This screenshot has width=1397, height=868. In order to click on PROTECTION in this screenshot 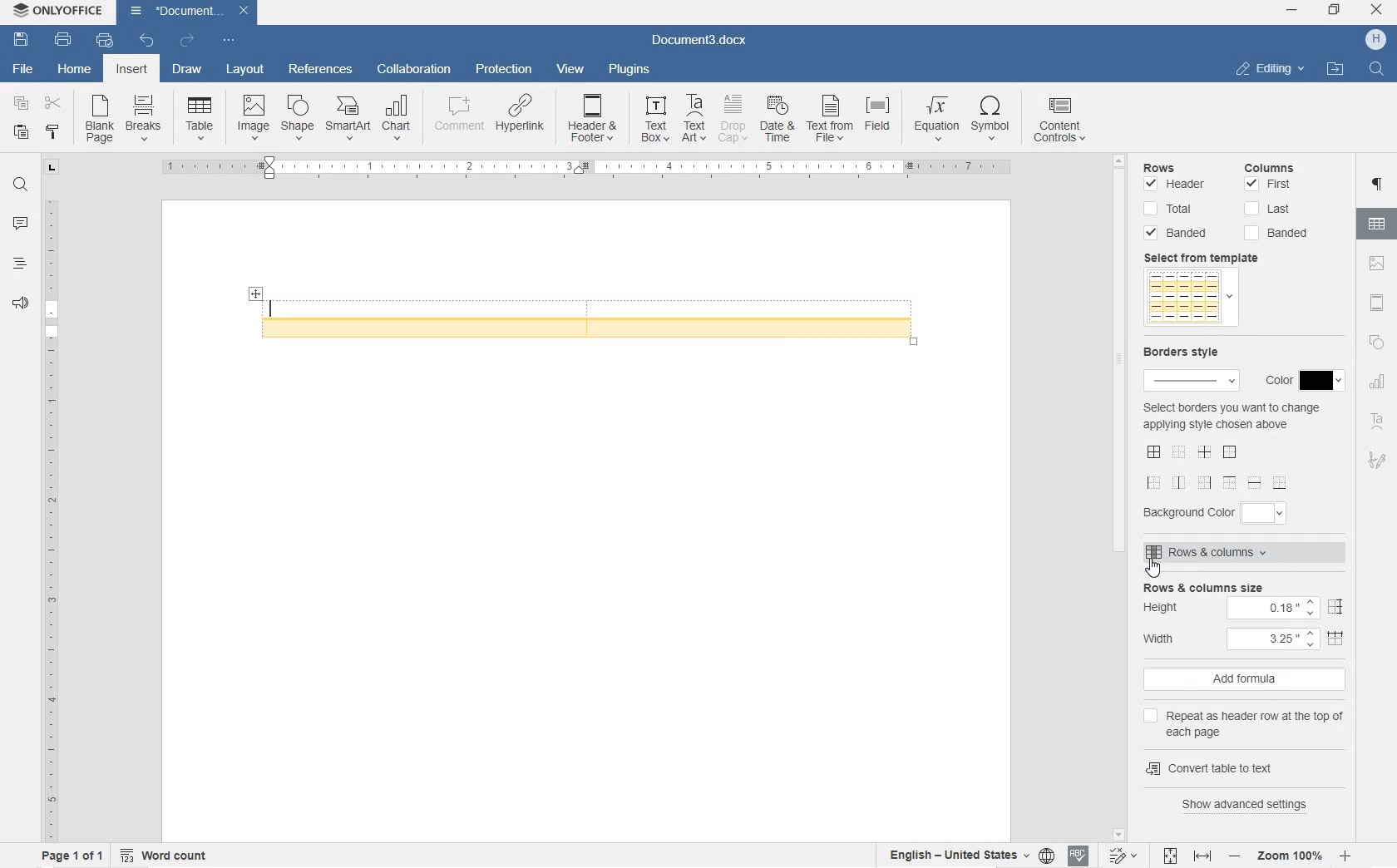, I will do `click(503, 71)`.